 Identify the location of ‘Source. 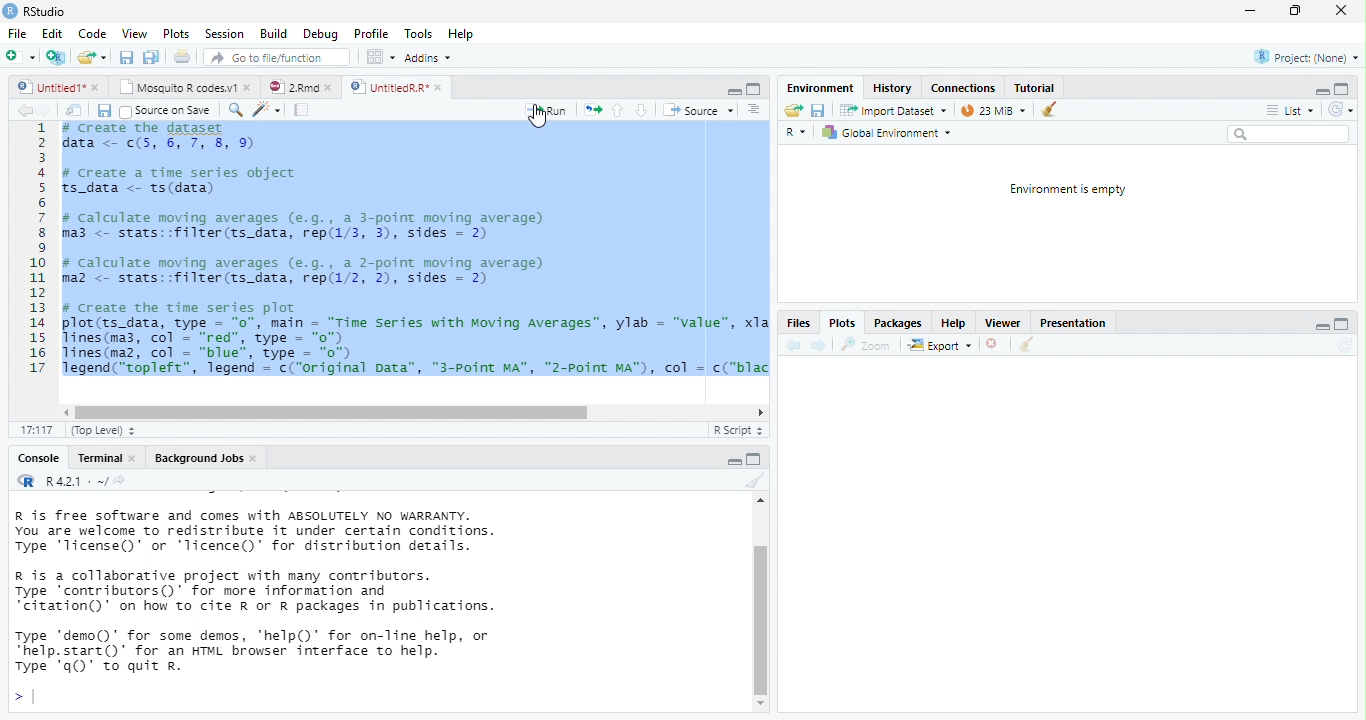
(700, 110).